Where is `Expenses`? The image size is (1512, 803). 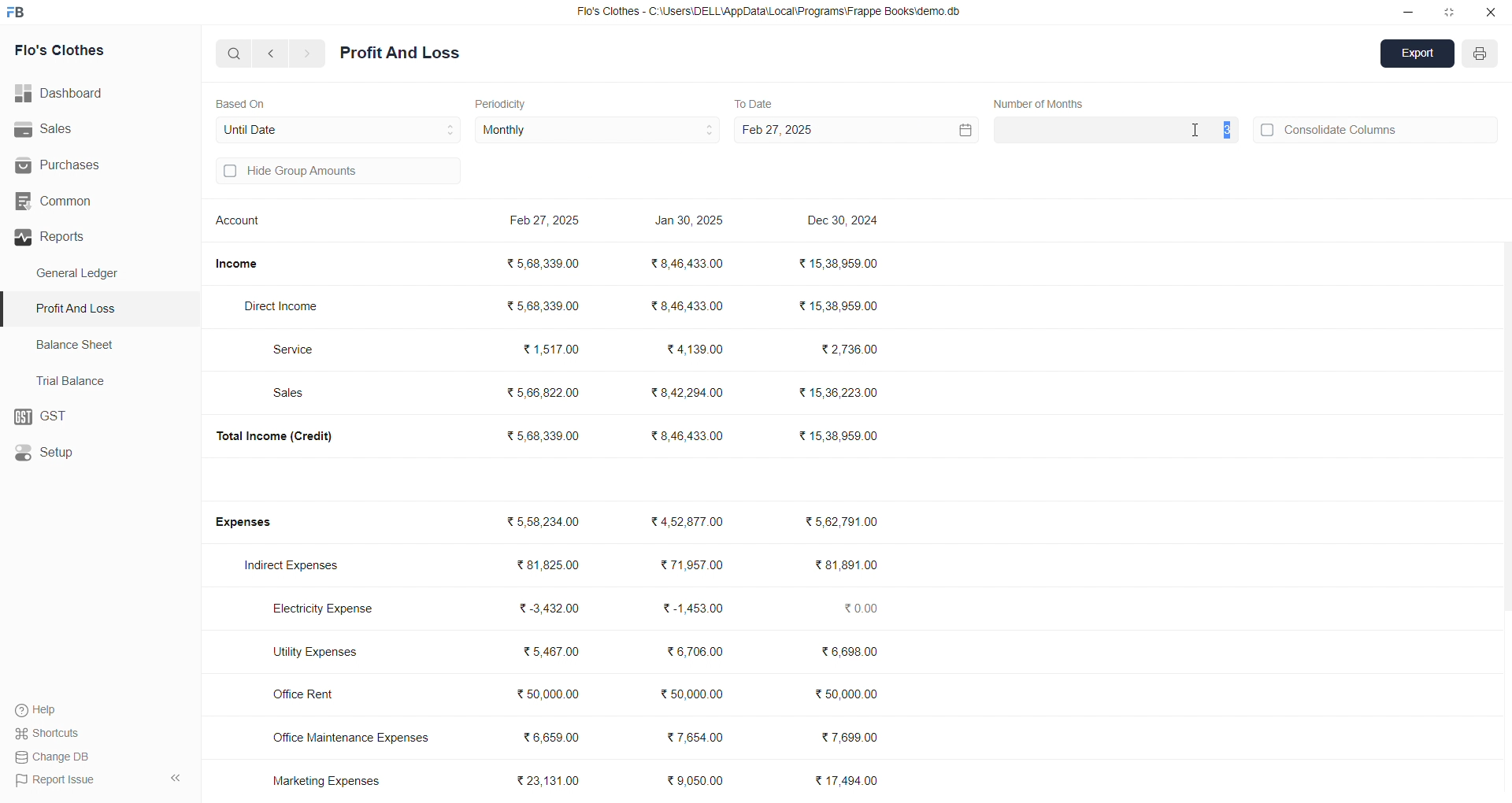
Expenses is located at coordinates (254, 523).